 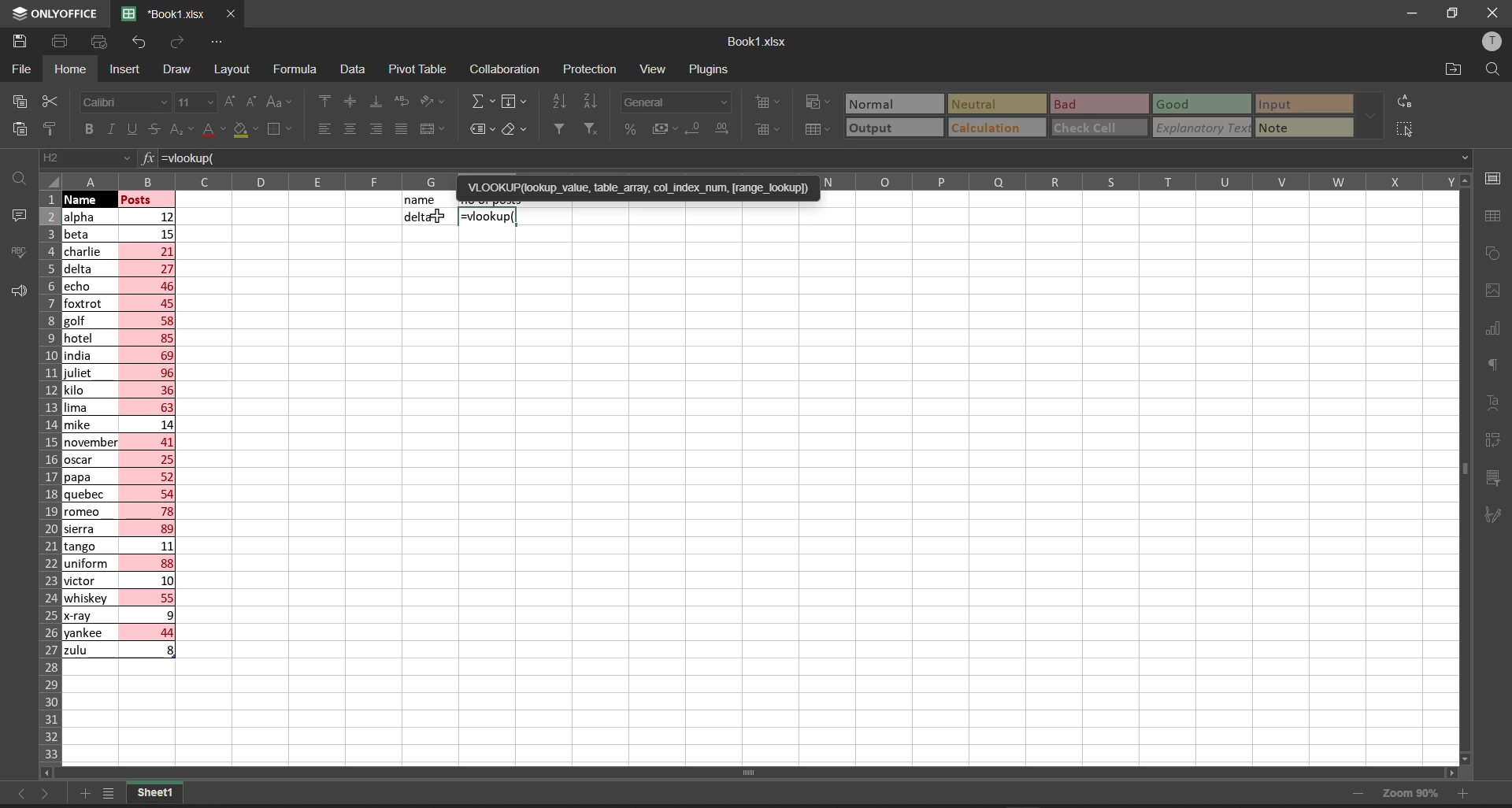 I want to click on 'VLOOKUP(lookup_value, table_array, col_index_num, [range_lookup])=, so click(x=636, y=195).